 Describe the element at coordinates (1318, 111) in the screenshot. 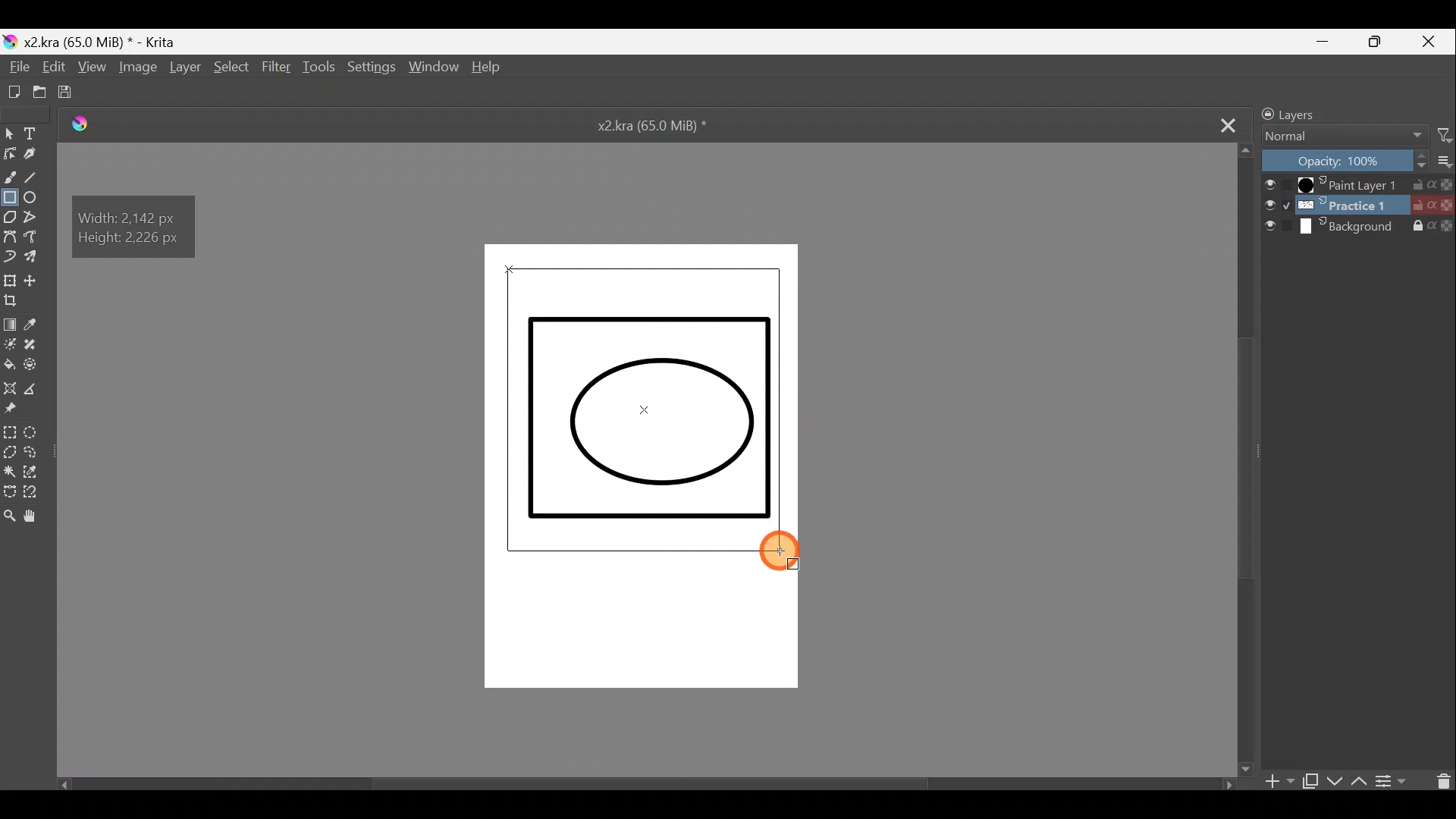

I see `Layers` at that location.